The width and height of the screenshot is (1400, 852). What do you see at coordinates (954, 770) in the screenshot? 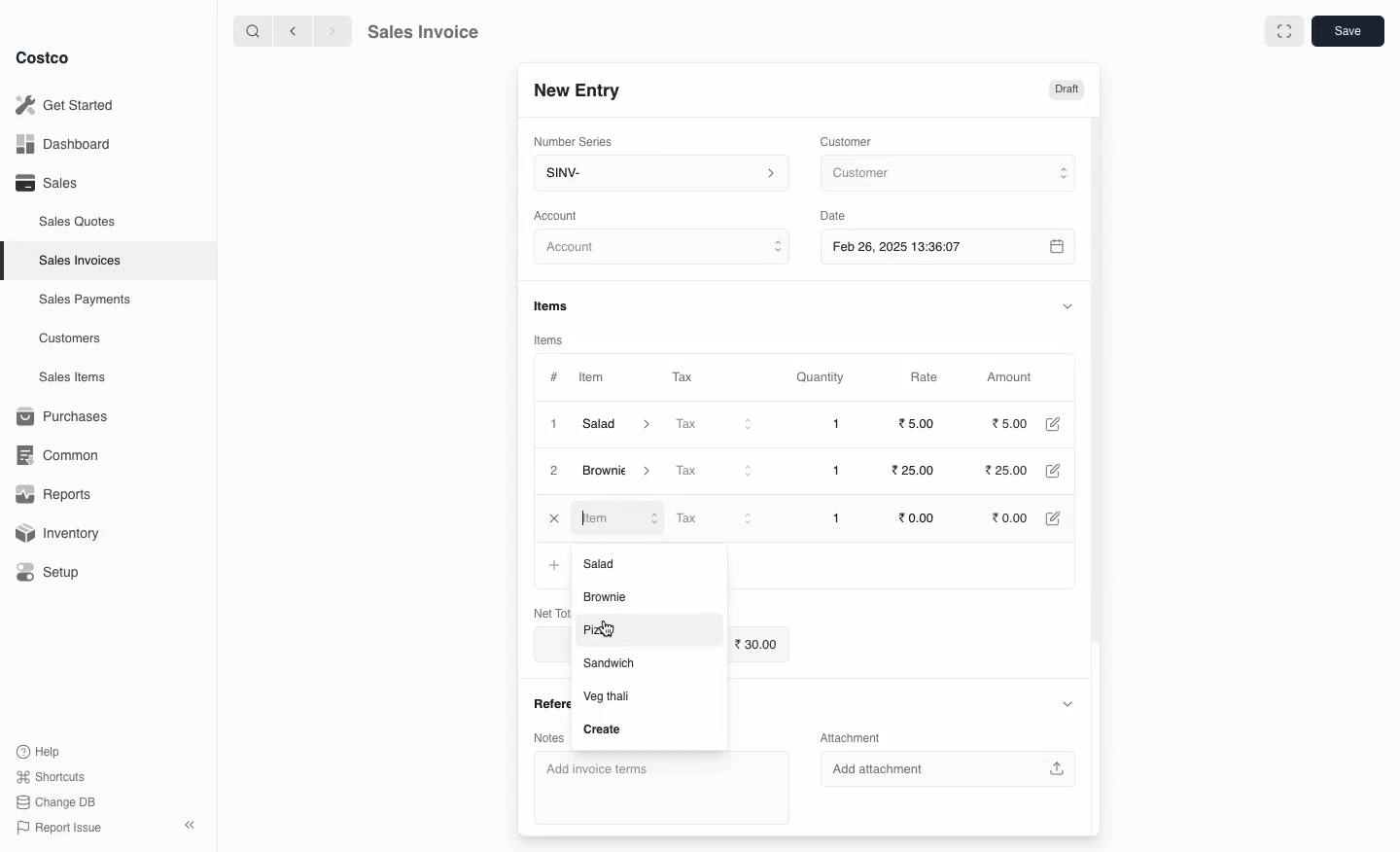
I see `‘Add attachment` at bounding box center [954, 770].